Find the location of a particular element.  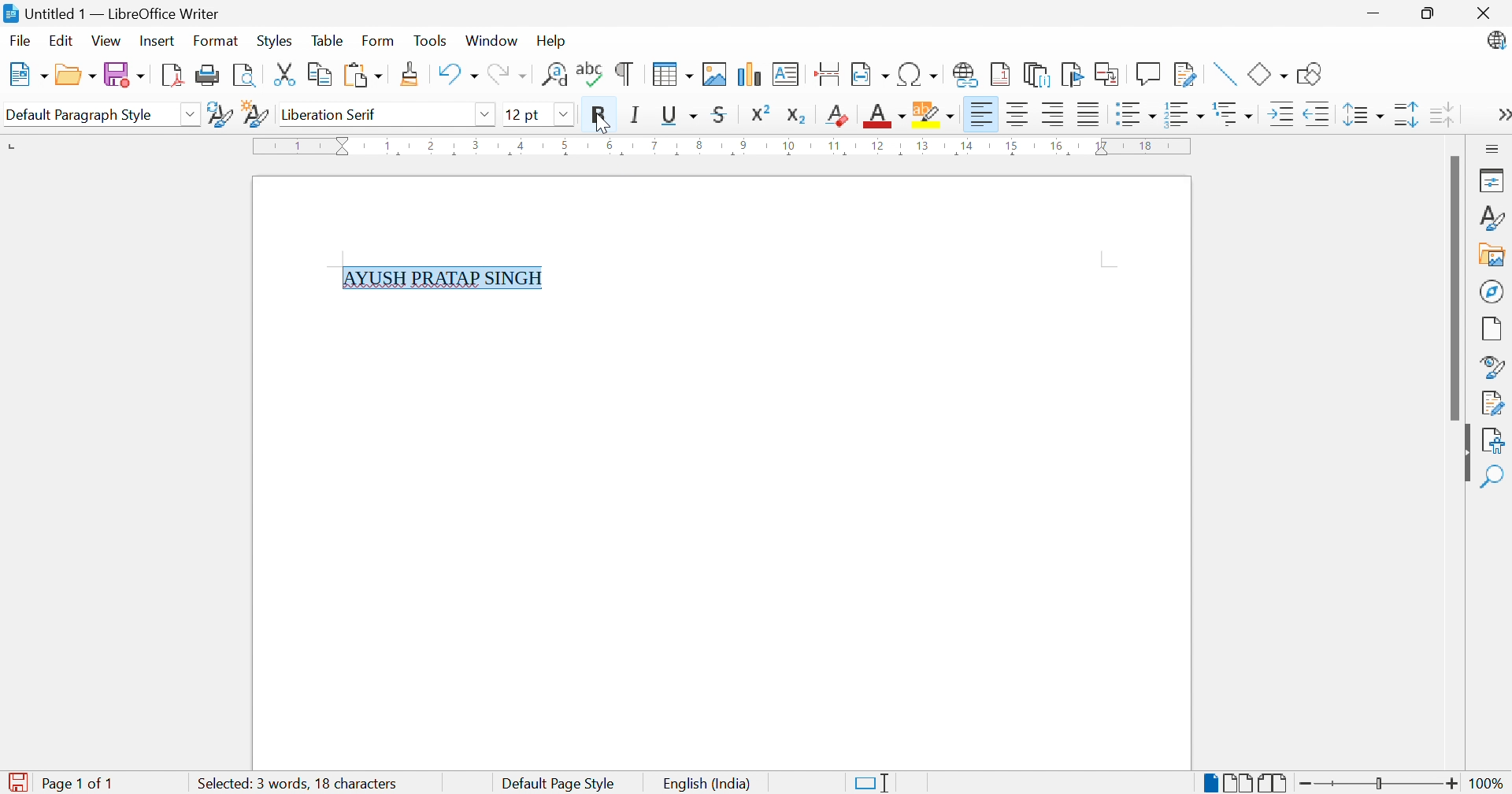

Standard Selection. Click to change selection mode. is located at coordinates (875, 783).